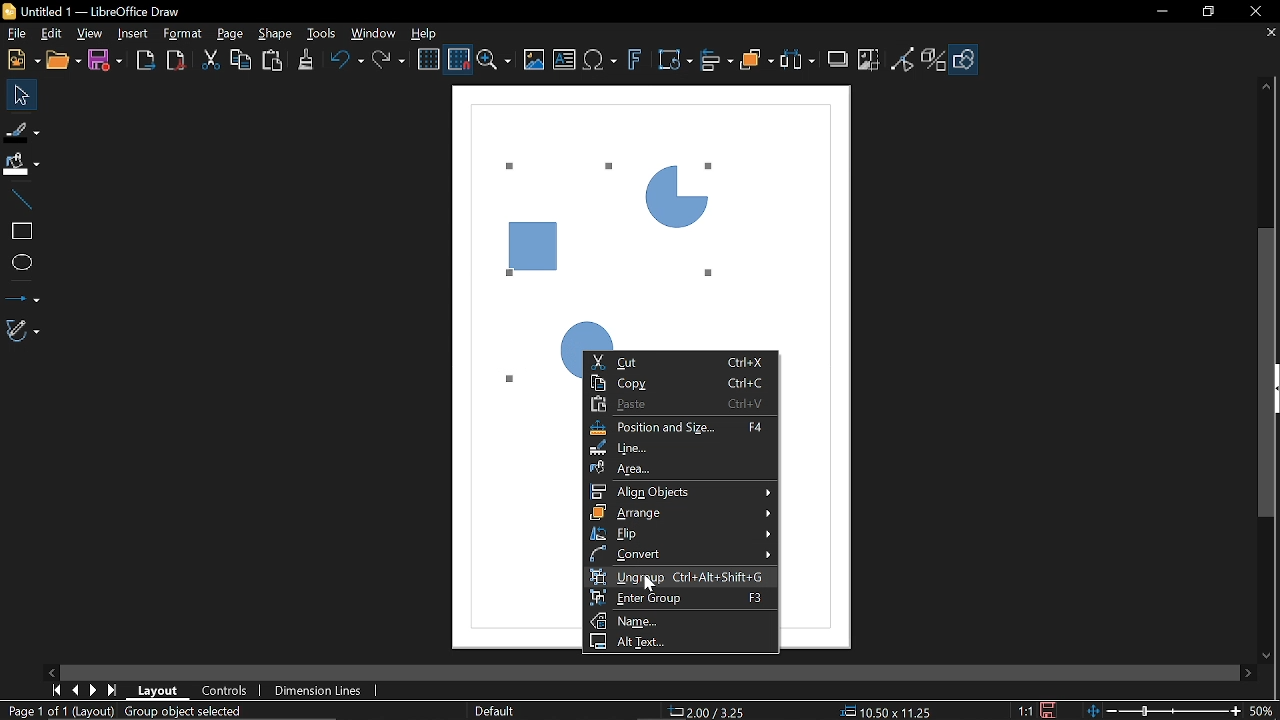 This screenshot has width=1280, height=720. What do you see at coordinates (14, 34) in the screenshot?
I see `File` at bounding box center [14, 34].